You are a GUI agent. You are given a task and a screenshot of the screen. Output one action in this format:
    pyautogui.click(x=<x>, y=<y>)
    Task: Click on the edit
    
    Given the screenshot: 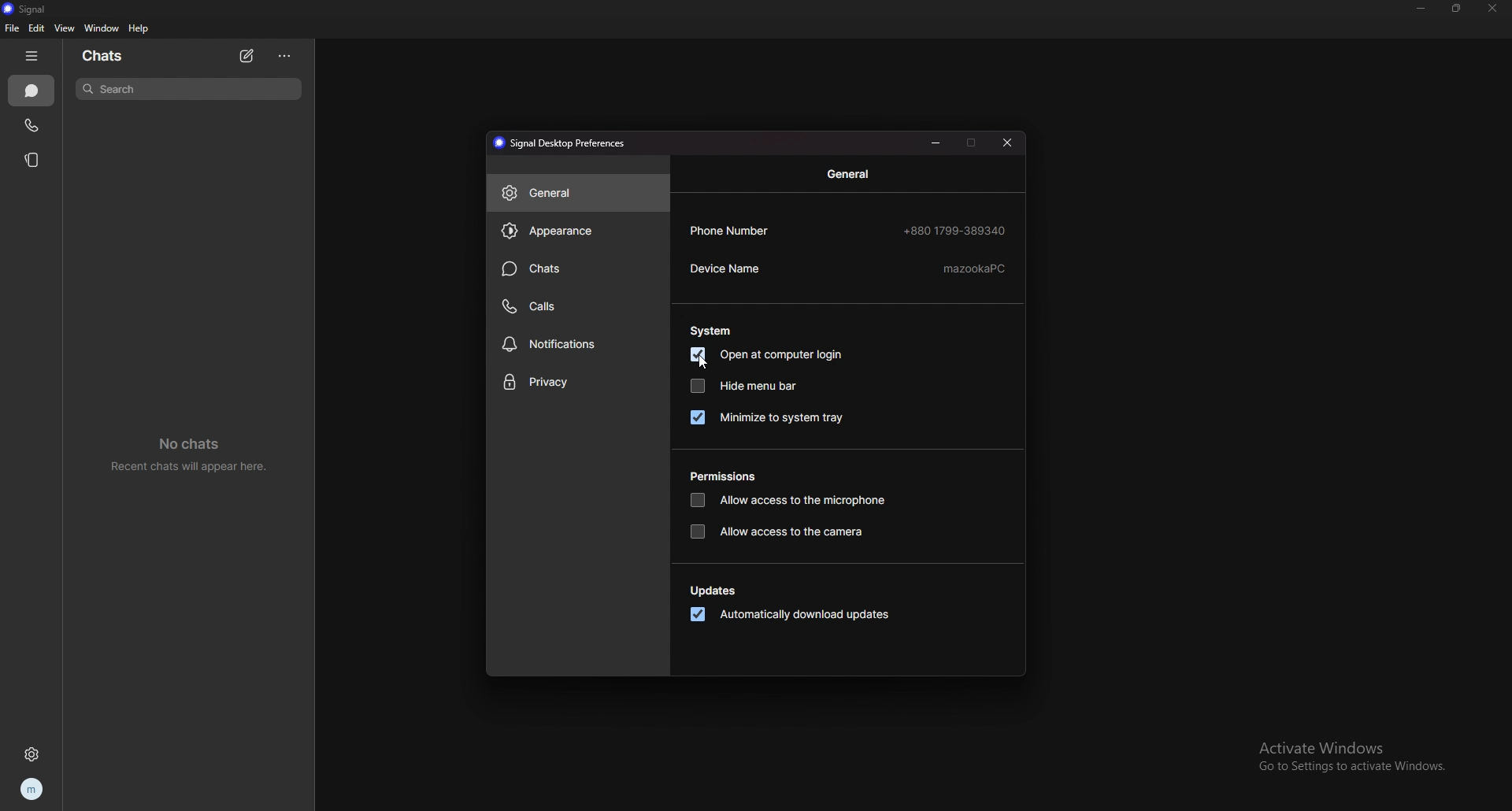 What is the action you would take?
    pyautogui.click(x=36, y=28)
    